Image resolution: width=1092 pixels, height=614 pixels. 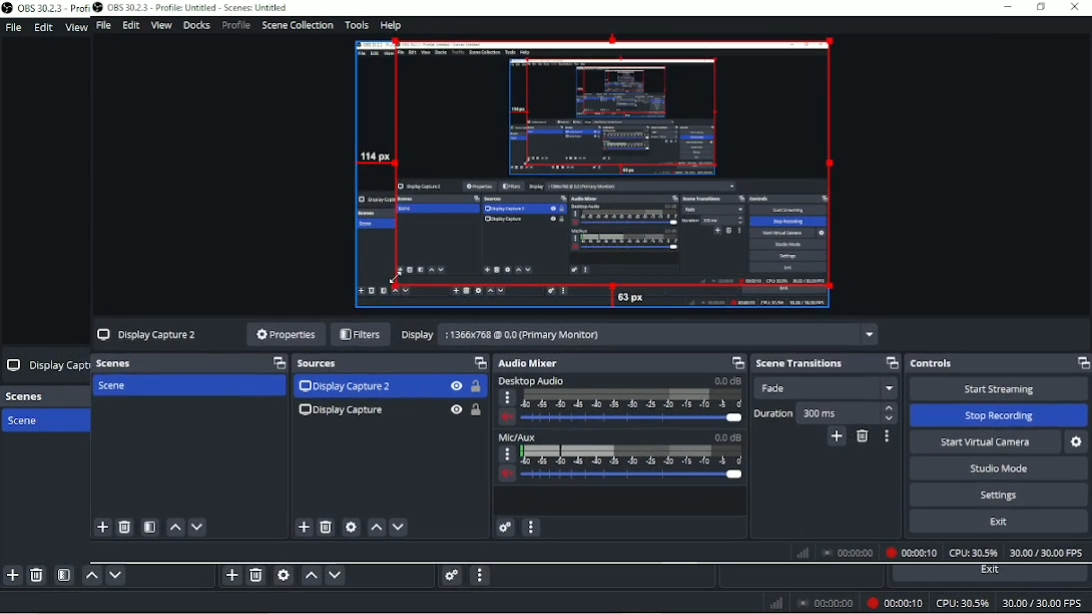 I want to click on down, so click(x=200, y=528).